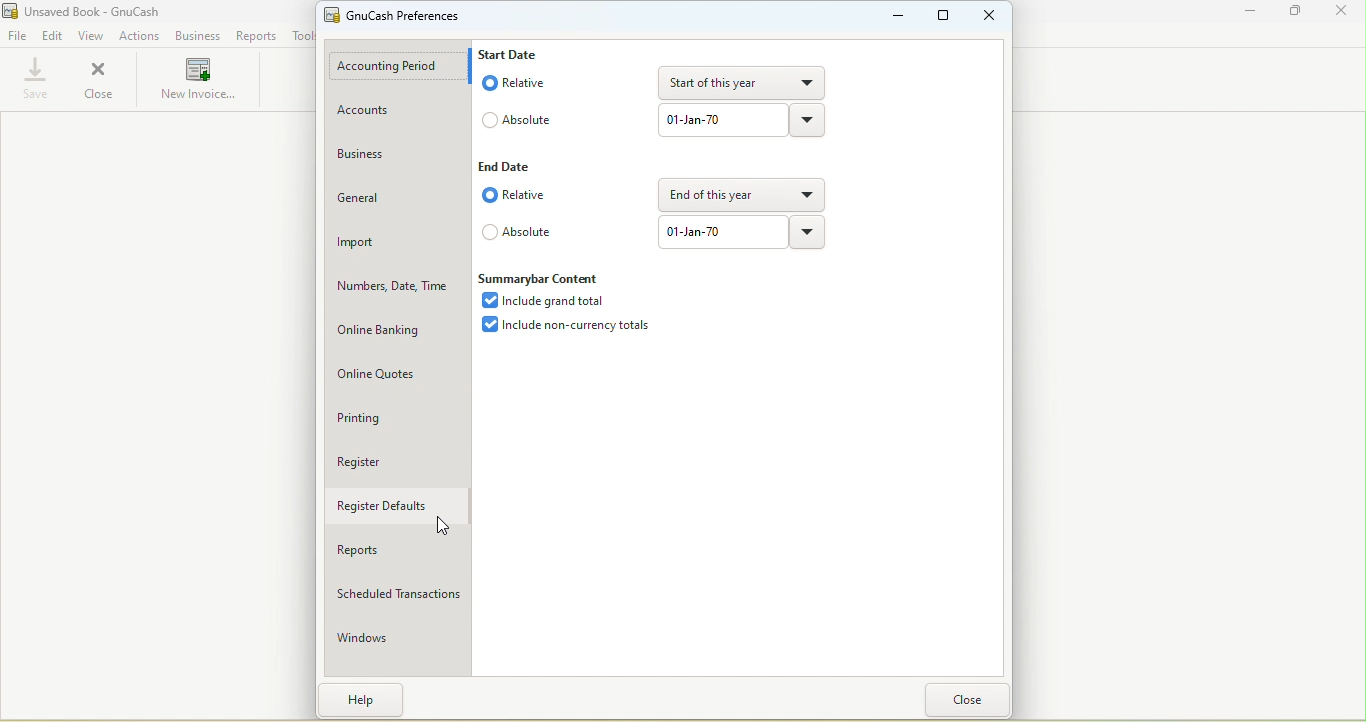  Describe the element at coordinates (92, 11) in the screenshot. I see `Unsaved Book - GnuCash` at that location.